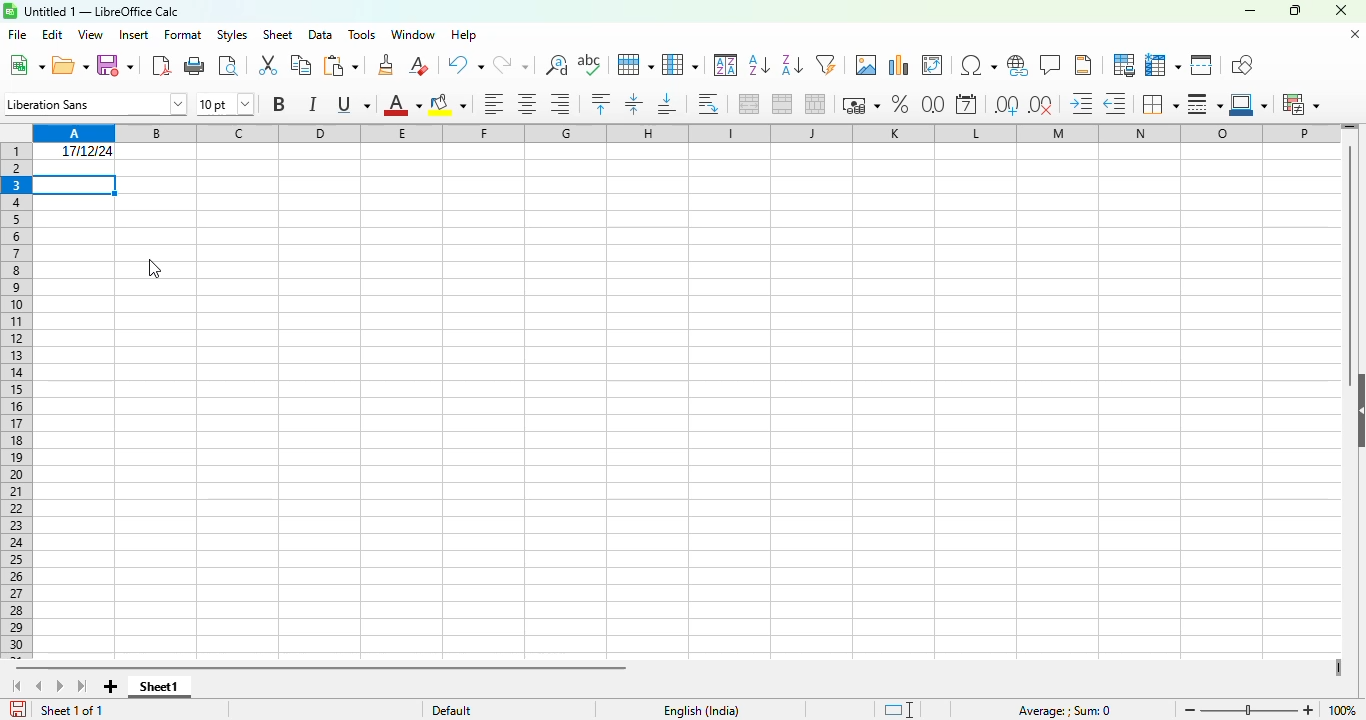 Image resolution: width=1366 pixels, height=720 pixels. I want to click on merge cells, so click(783, 104).